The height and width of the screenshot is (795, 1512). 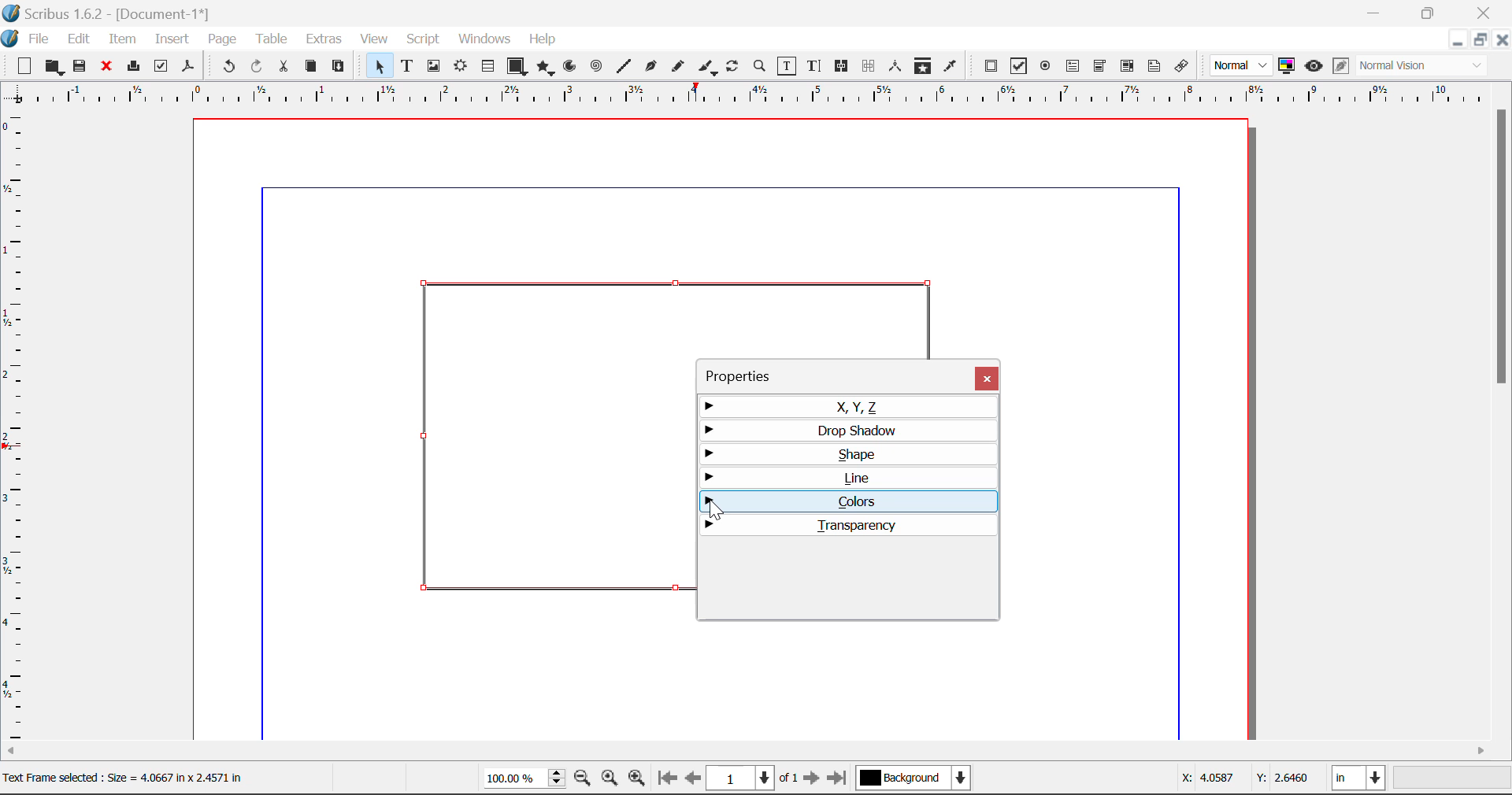 I want to click on Undo, so click(x=226, y=67).